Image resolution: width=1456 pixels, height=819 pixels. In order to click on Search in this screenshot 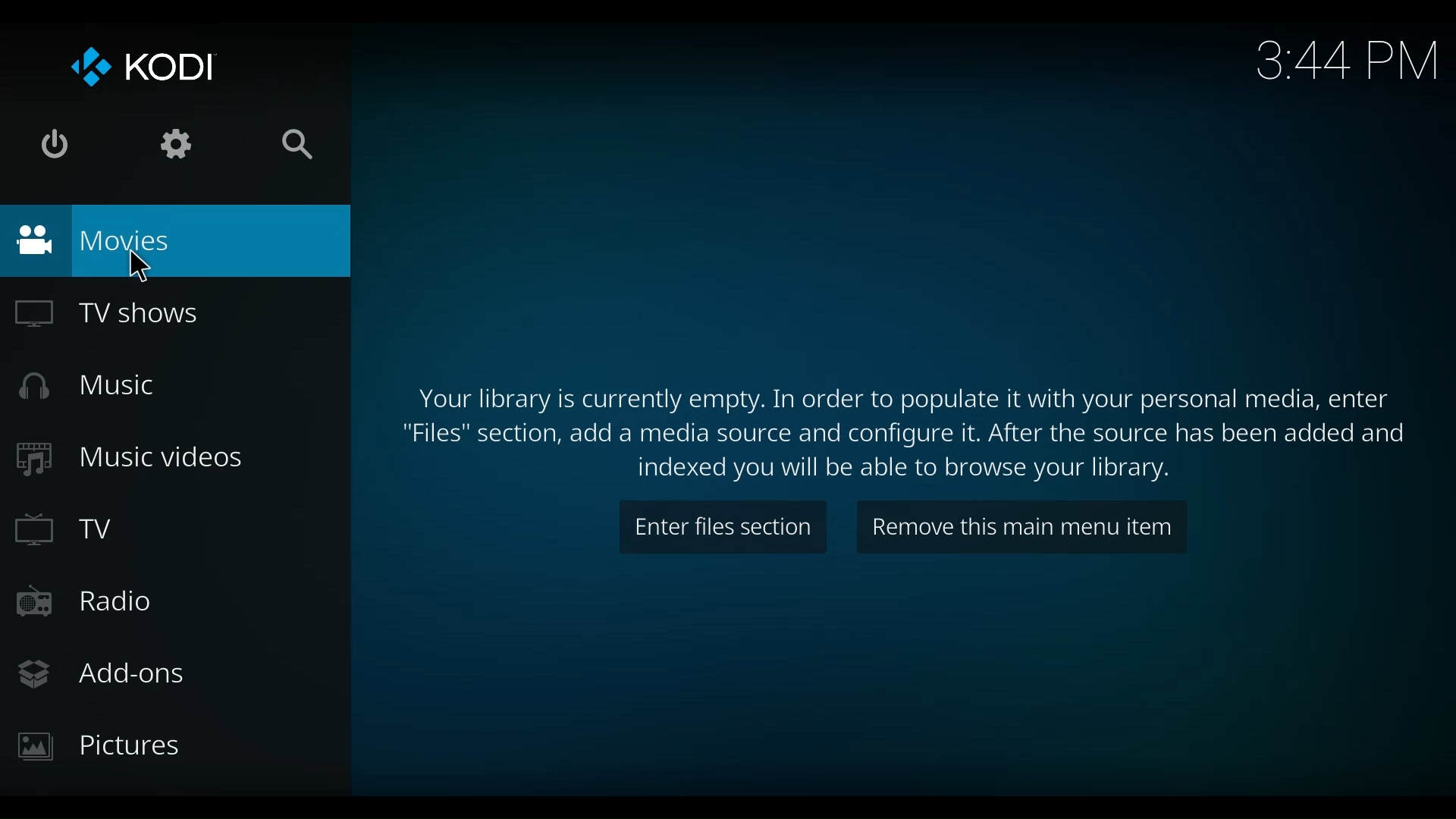, I will do `click(302, 145)`.